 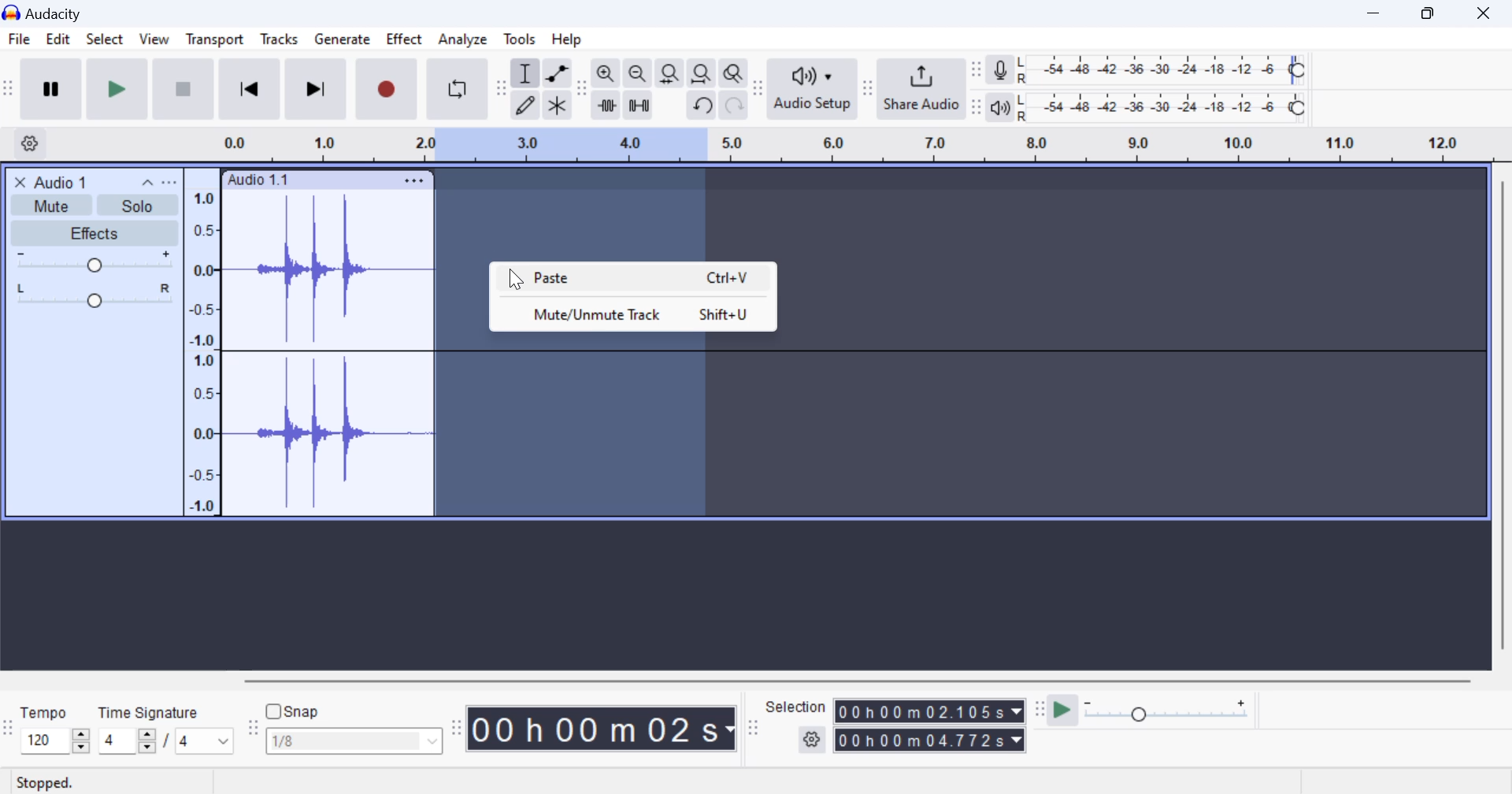 I want to click on collapse, so click(x=146, y=181).